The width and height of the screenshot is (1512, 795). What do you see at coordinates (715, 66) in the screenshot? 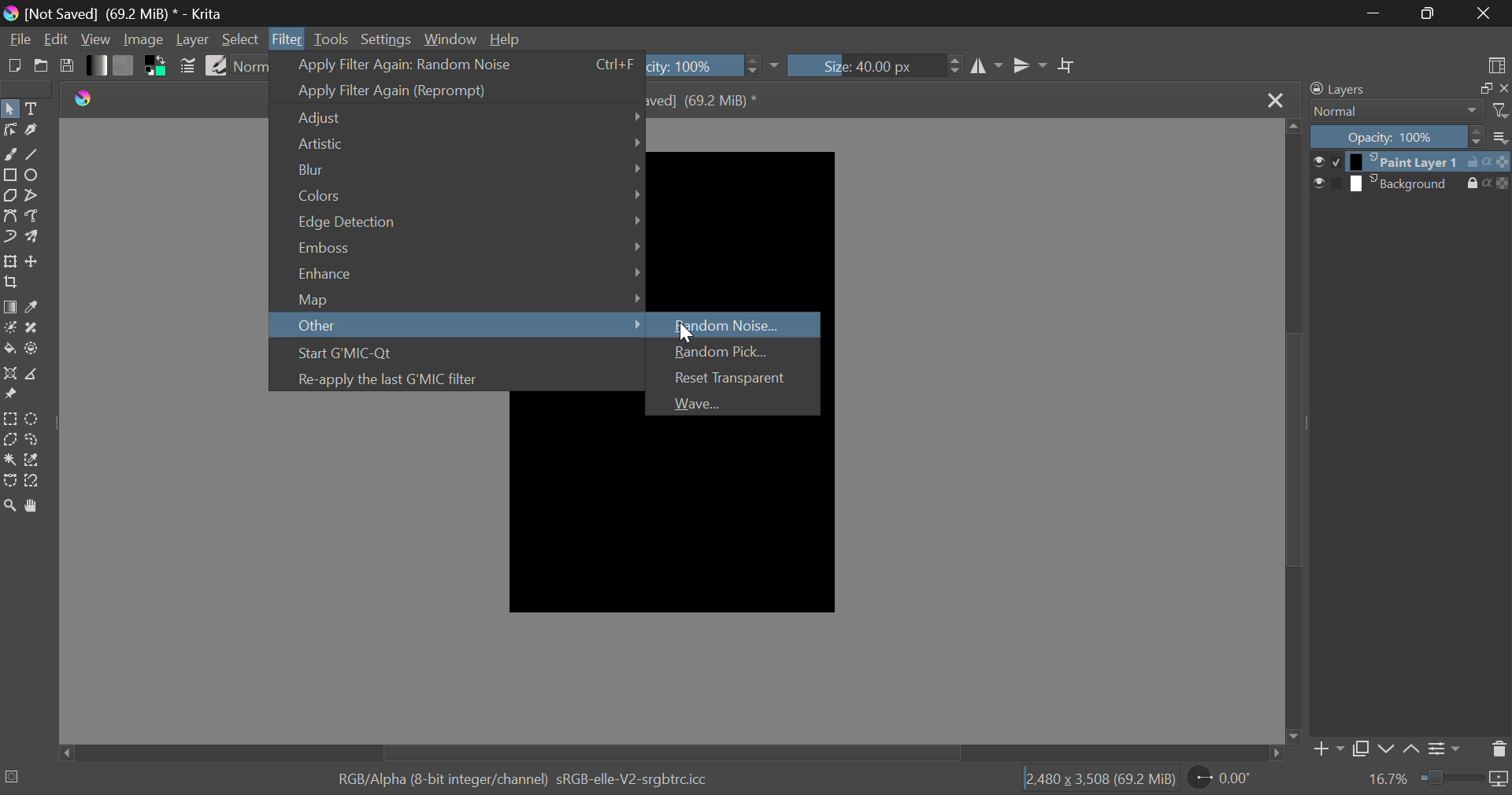
I see `Opacity` at bounding box center [715, 66].